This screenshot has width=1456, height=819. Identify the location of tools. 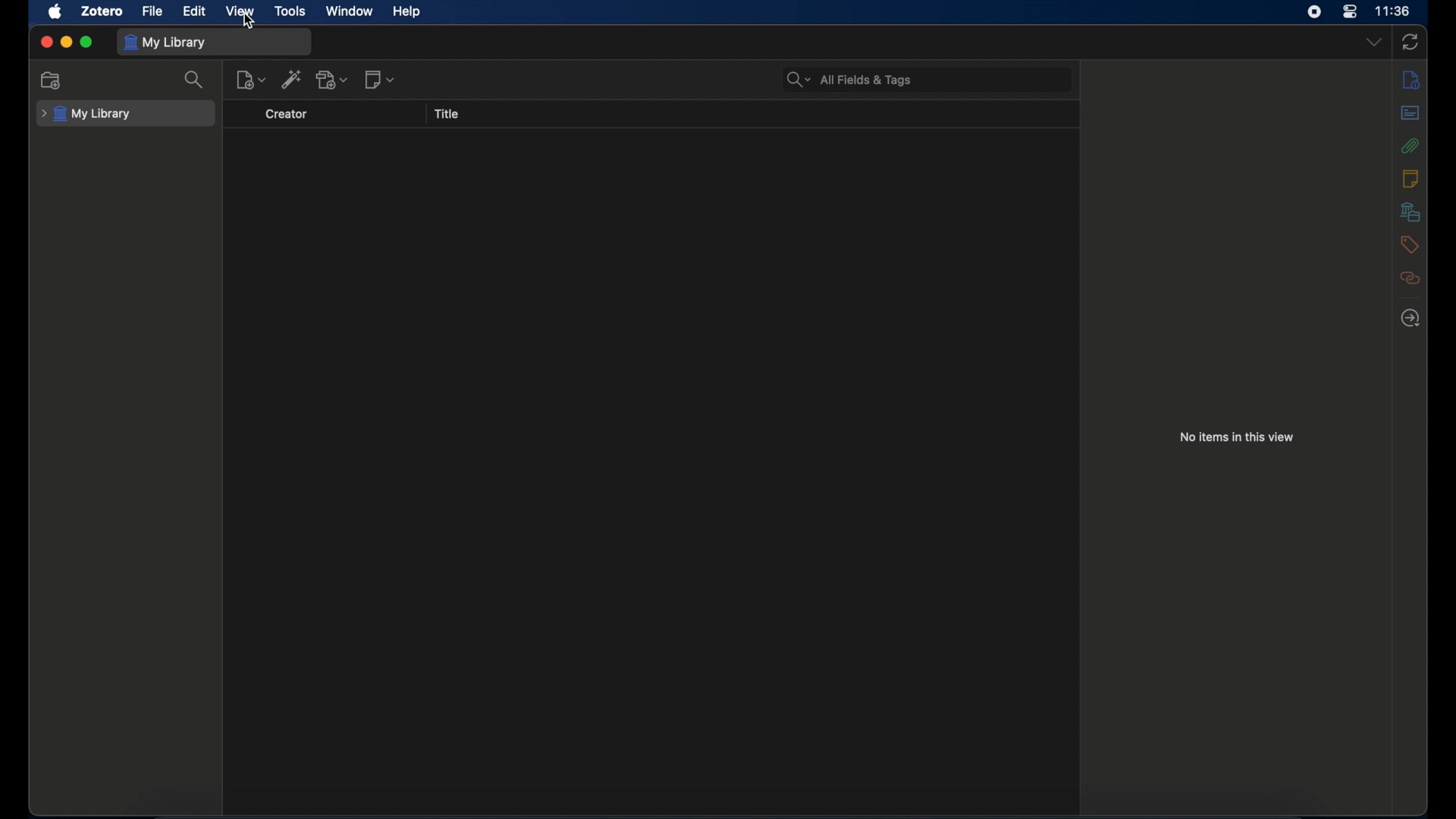
(291, 11).